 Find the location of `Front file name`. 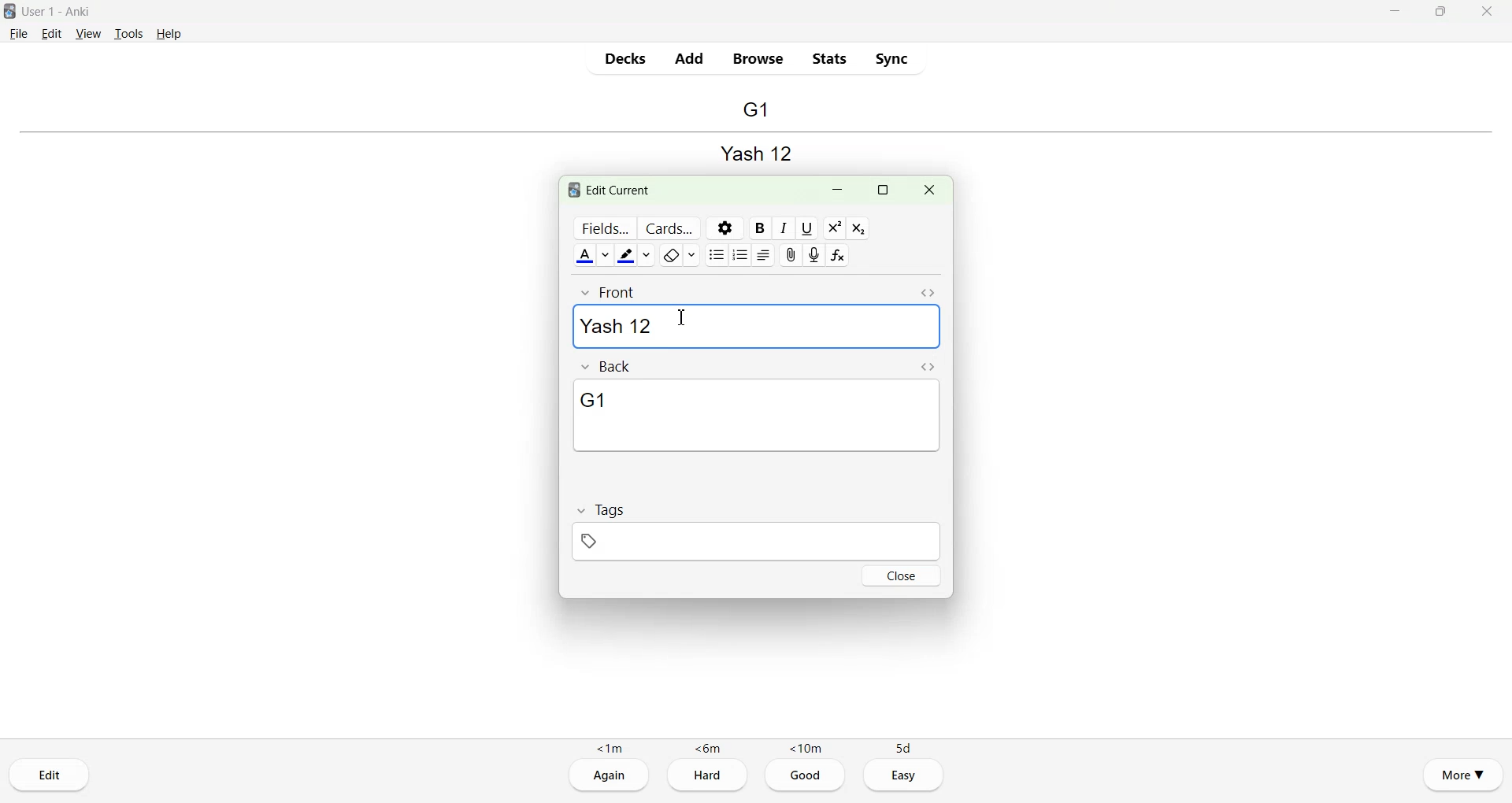

Front file name is located at coordinates (754, 151).